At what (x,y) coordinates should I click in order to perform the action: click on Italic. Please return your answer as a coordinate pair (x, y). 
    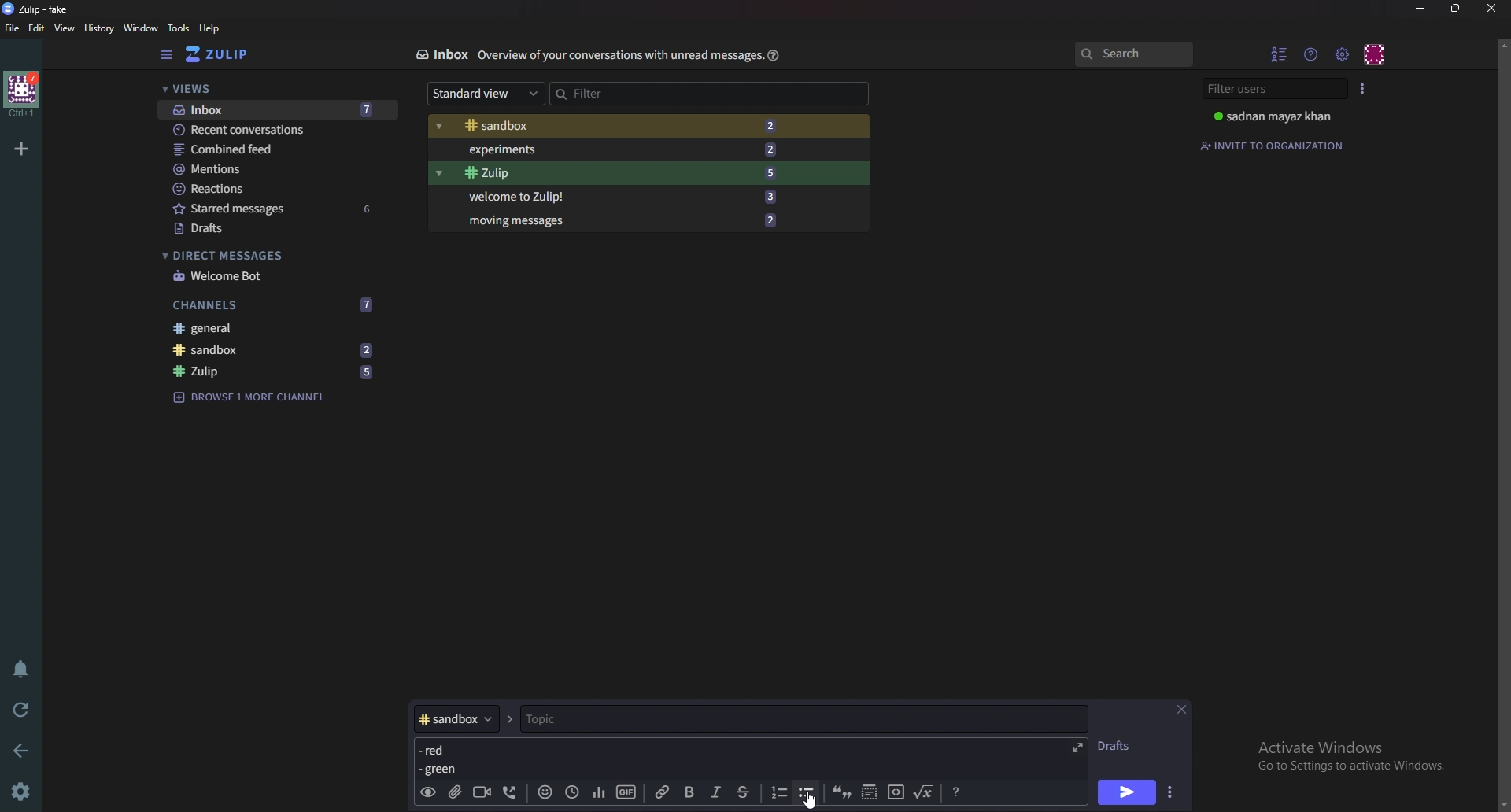
    Looking at the image, I should click on (716, 792).